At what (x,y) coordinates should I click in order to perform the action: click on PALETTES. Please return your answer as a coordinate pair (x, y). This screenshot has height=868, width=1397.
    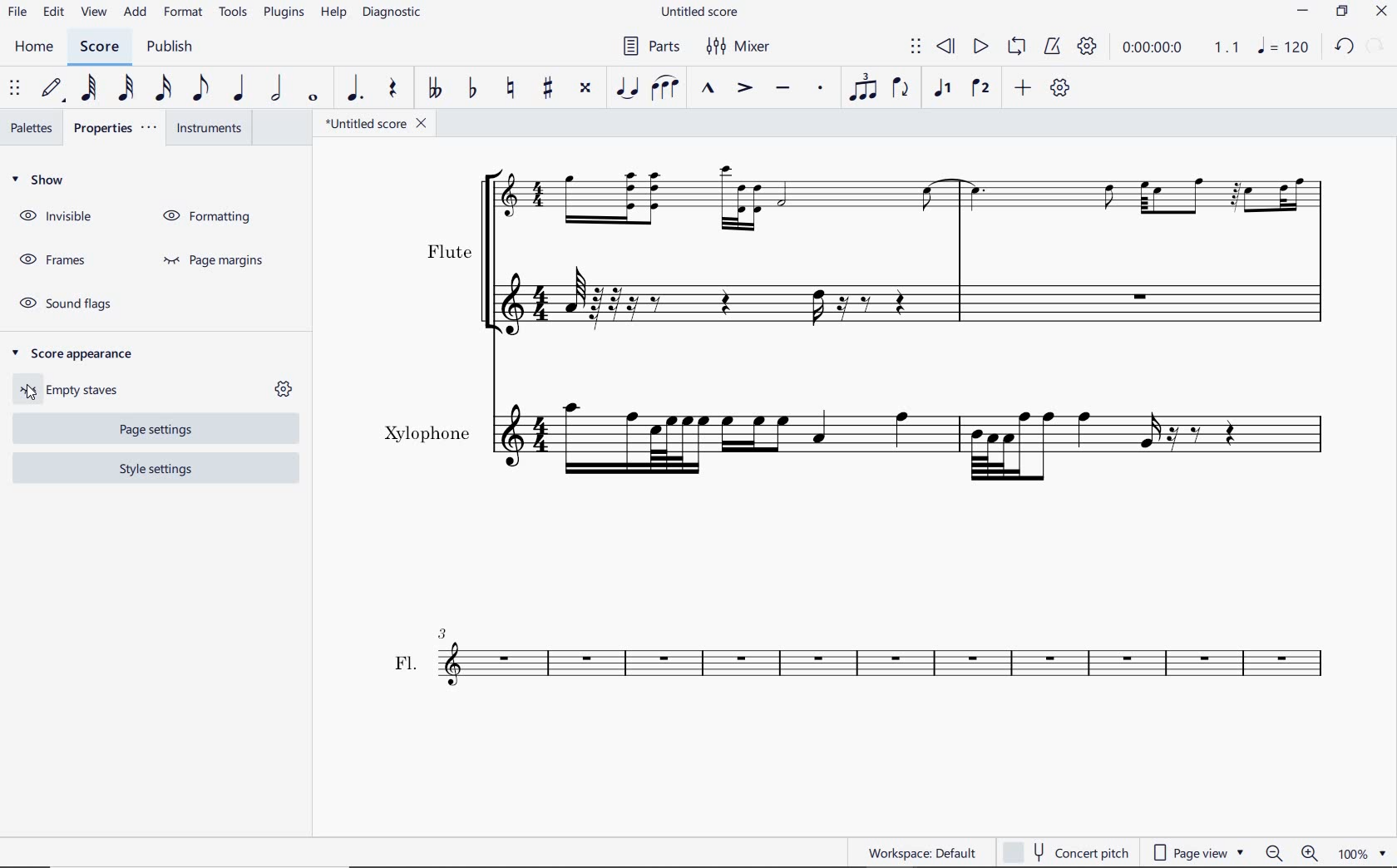
    Looking at the image, I should click on (29, 127).